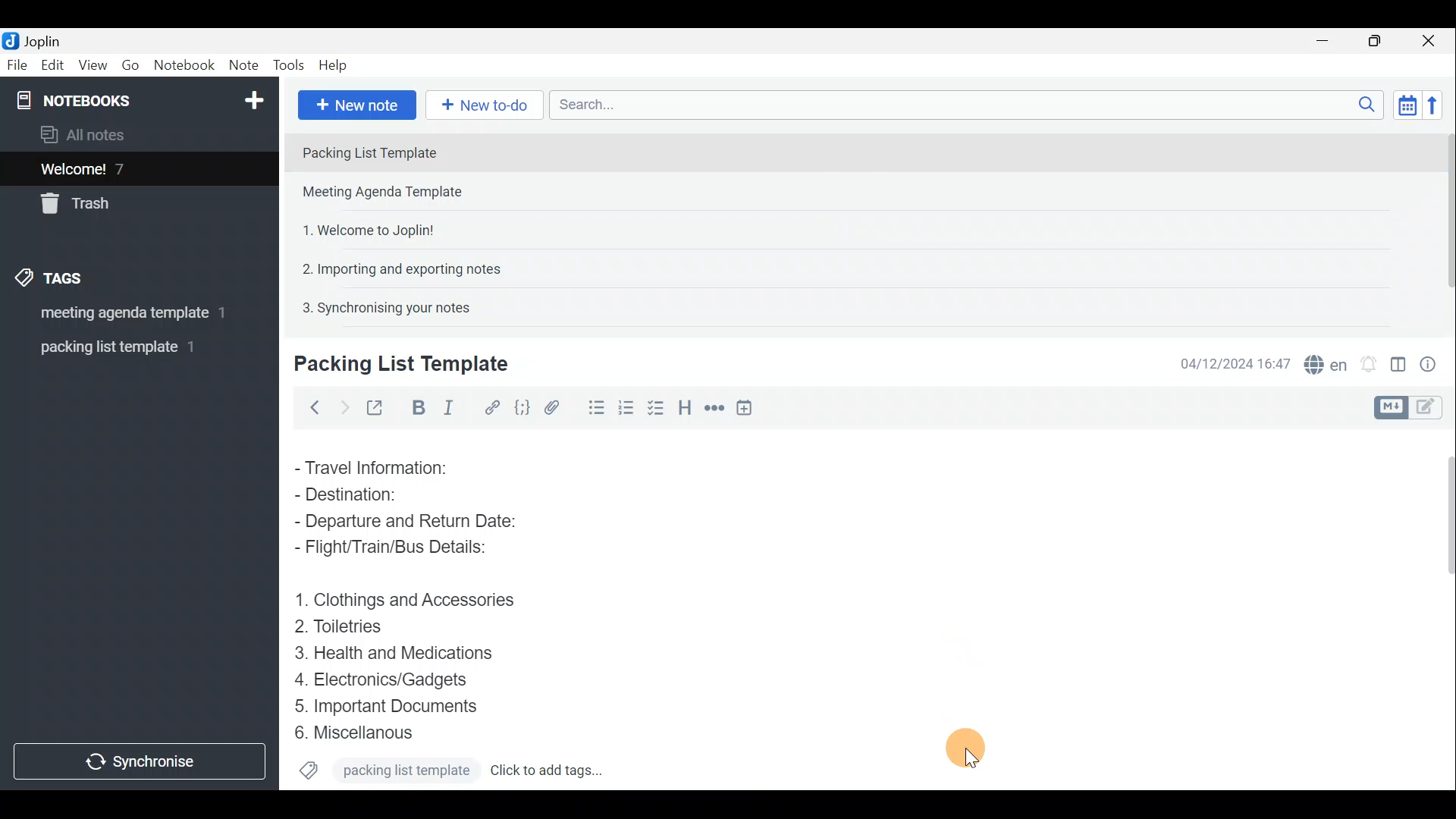 This screenshot has height=819, width=1456. I want to click on New to-do, so click(485, 105).